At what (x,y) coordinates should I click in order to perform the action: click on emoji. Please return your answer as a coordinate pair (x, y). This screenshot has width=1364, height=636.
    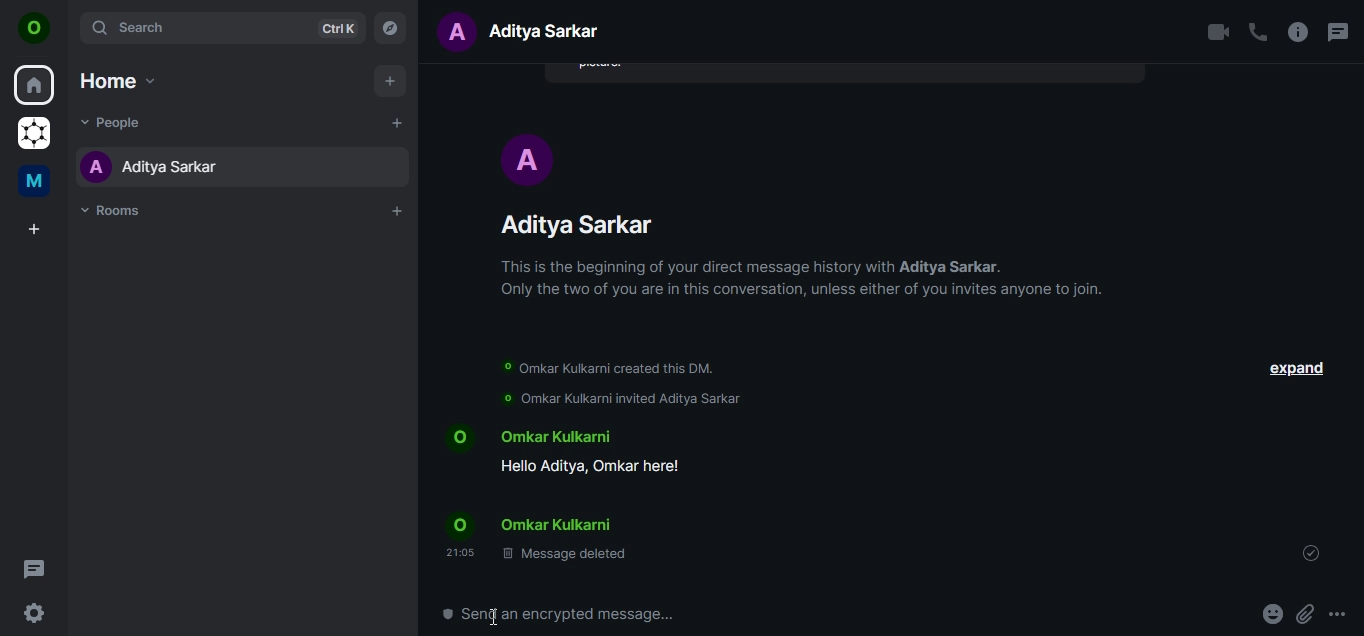
    Looking at the image, I should click on (1269, 614).